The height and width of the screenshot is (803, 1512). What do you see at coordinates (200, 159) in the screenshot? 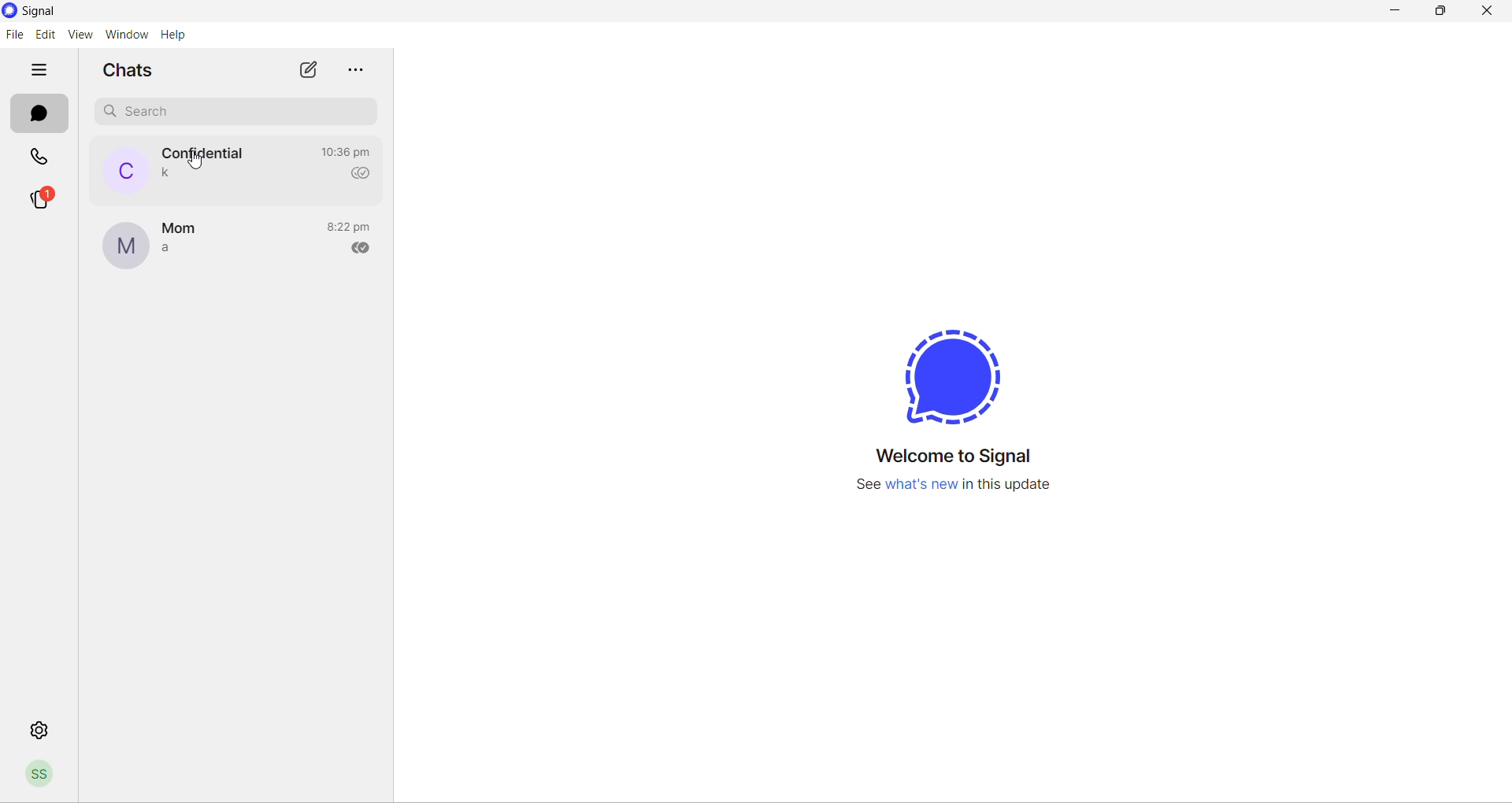
I see `cursor` at bounding box center [200, 159].